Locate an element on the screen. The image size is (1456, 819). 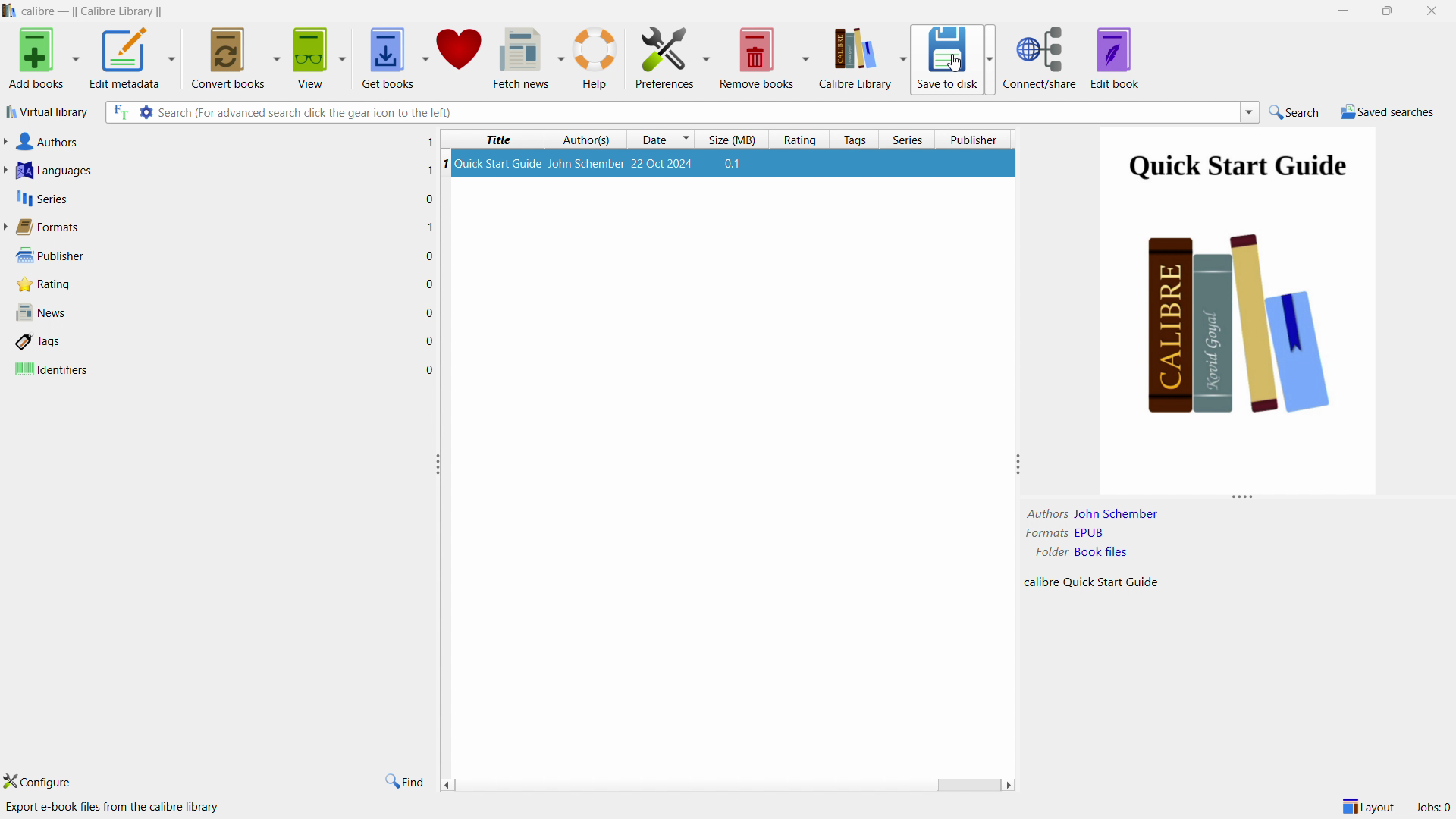
John Schember is located at coordinates (1121, 514).